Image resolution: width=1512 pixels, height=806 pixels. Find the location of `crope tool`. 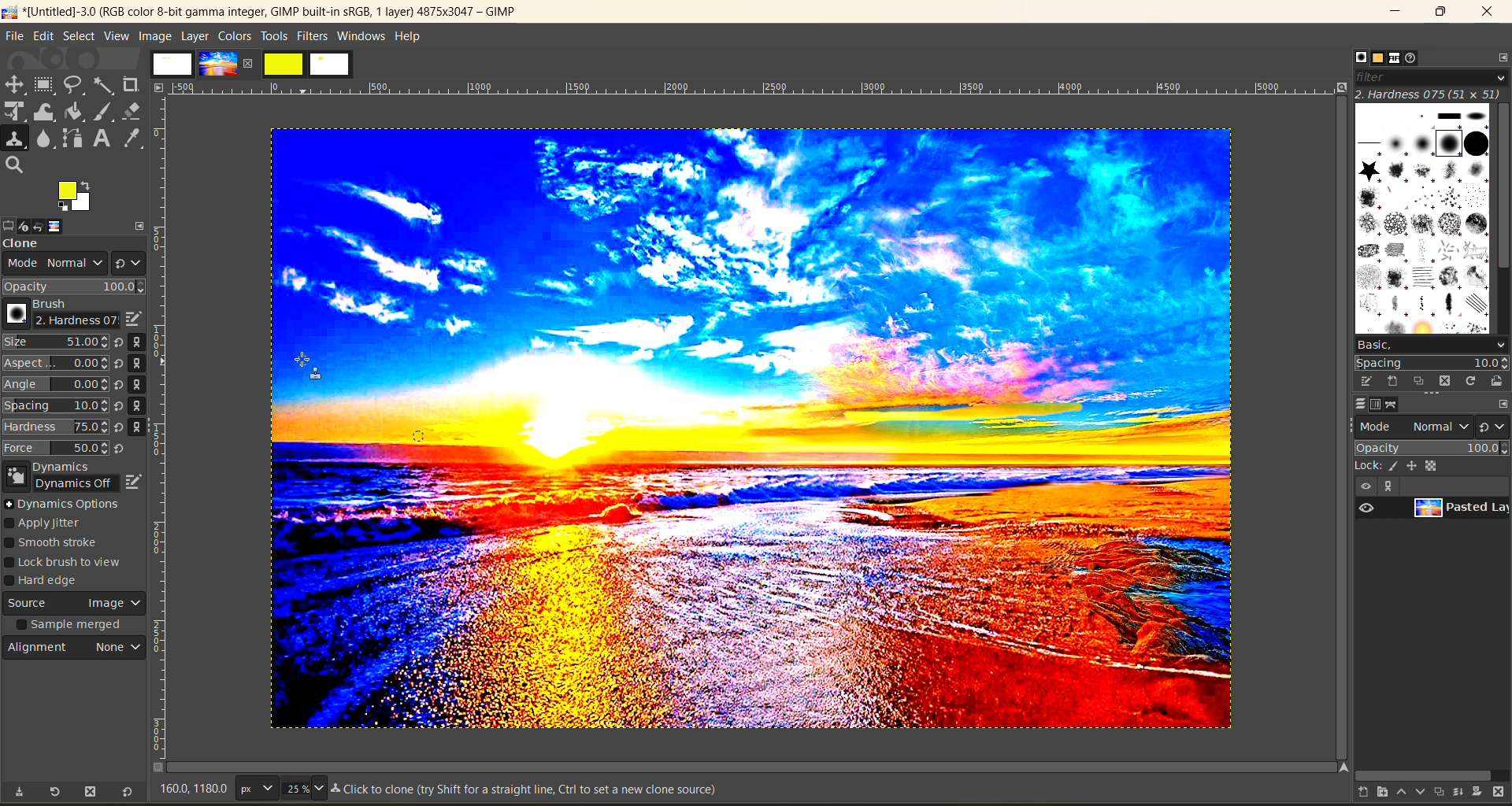

crope tool is located at coordinates (131, 83).